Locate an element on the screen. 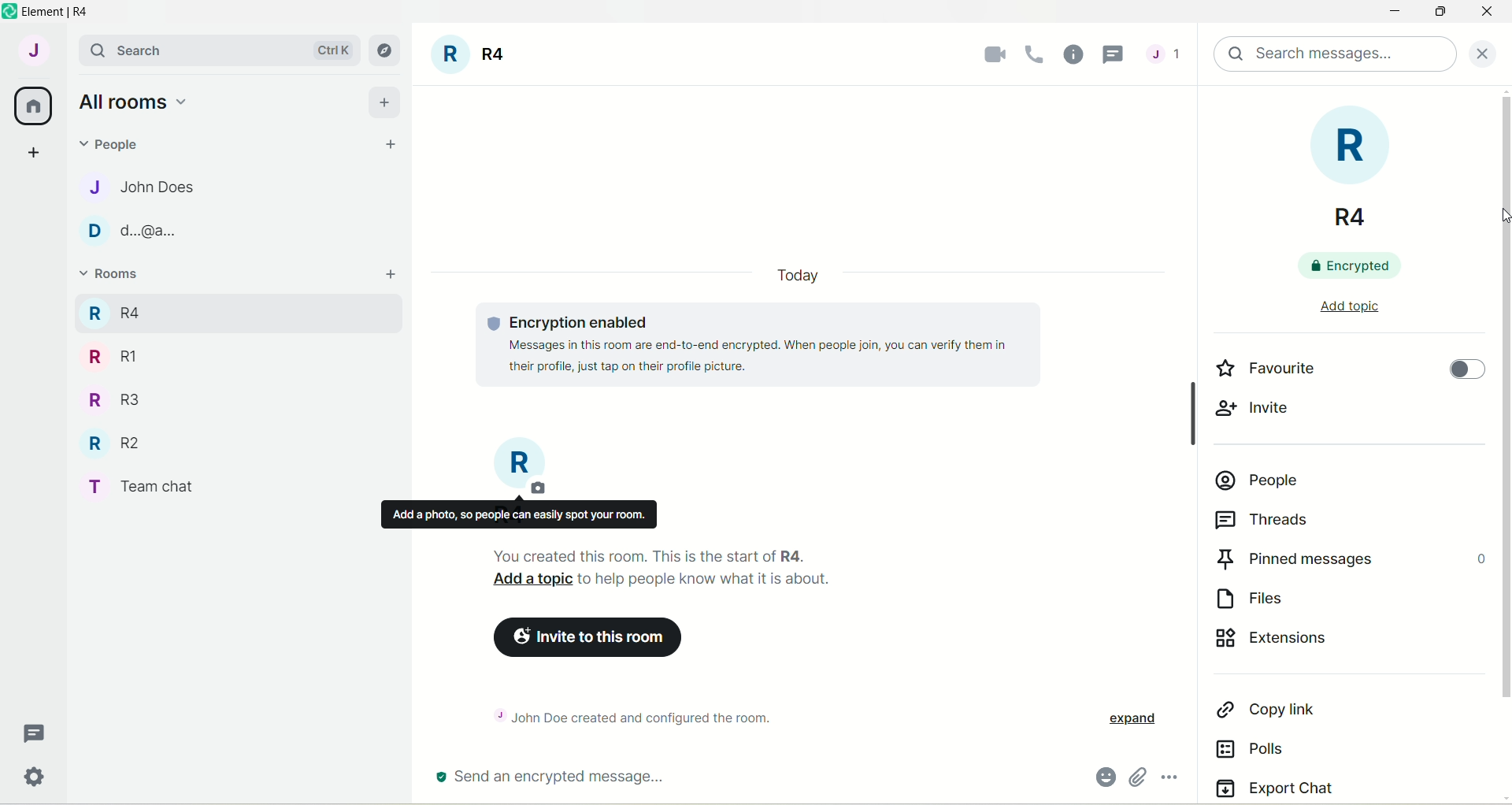 This screenshot has height=805, width=1512. Add a photo, so people can easily spot your room. is located at coordinates (518, 514).